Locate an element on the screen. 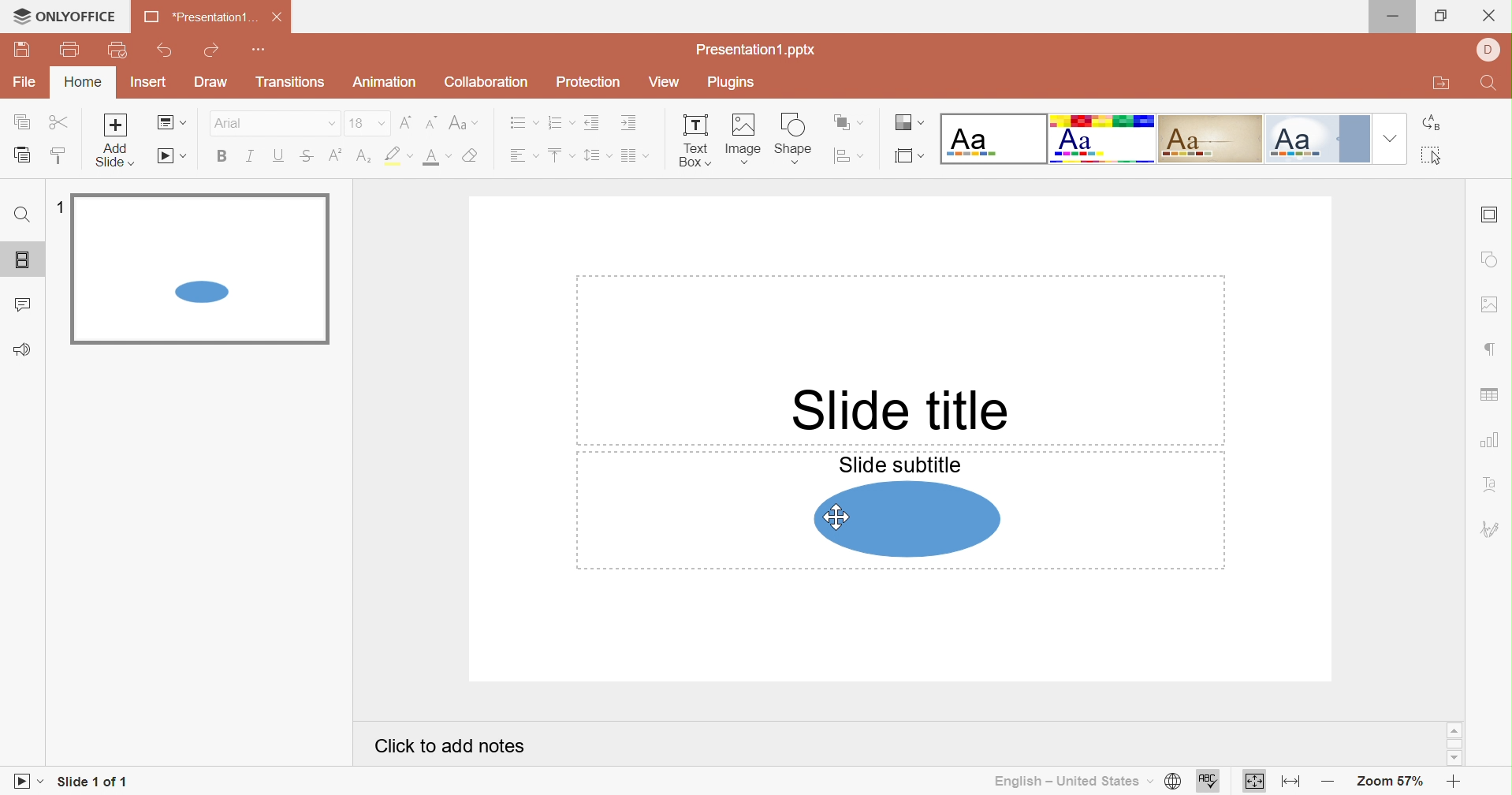 Image resolution: width=1512 pixels, height=795 pixels. Plugins is located at coordinates (735, 82).